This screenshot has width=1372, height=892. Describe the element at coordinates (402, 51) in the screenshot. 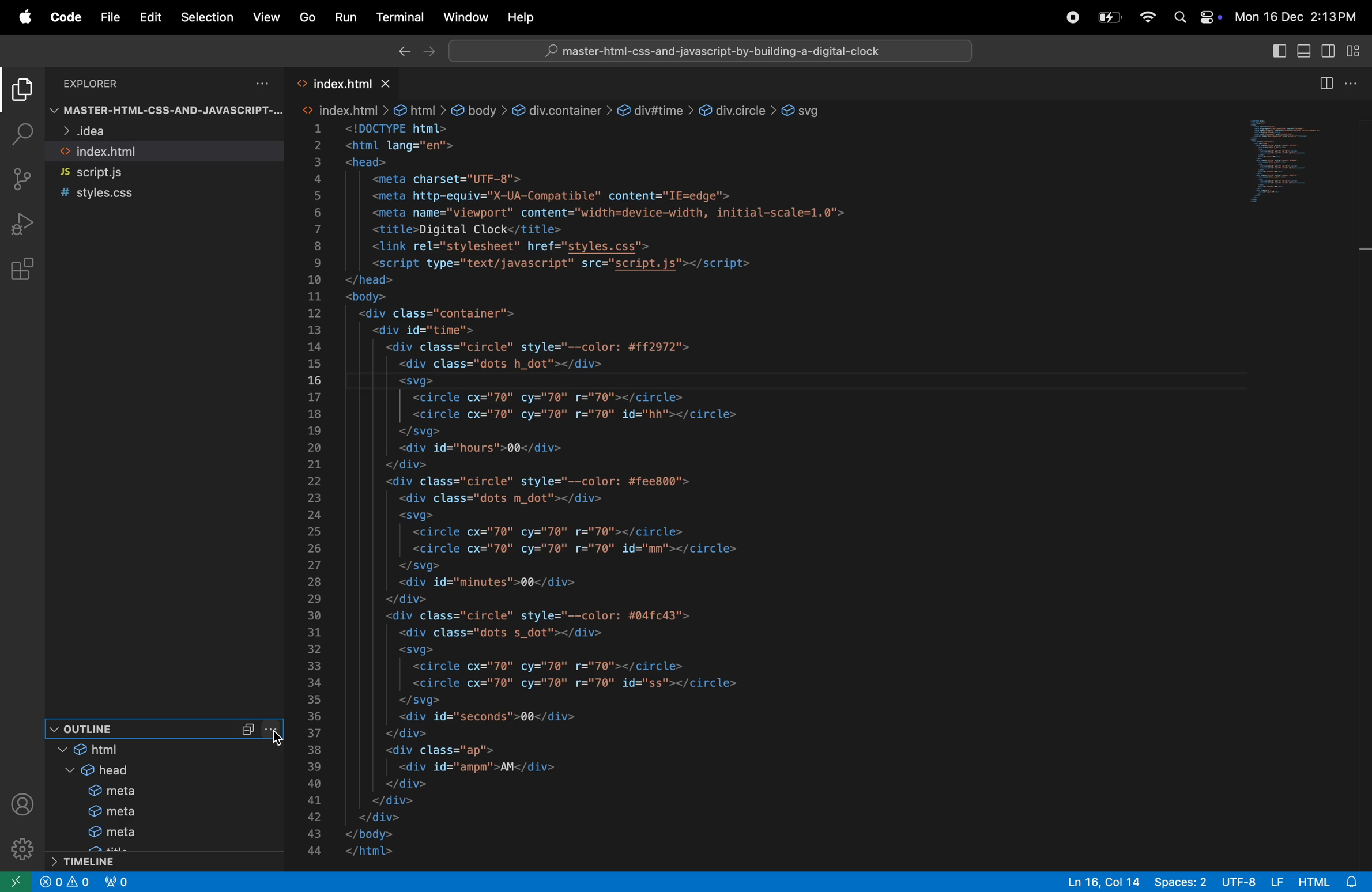

I see `Backward` at that location.